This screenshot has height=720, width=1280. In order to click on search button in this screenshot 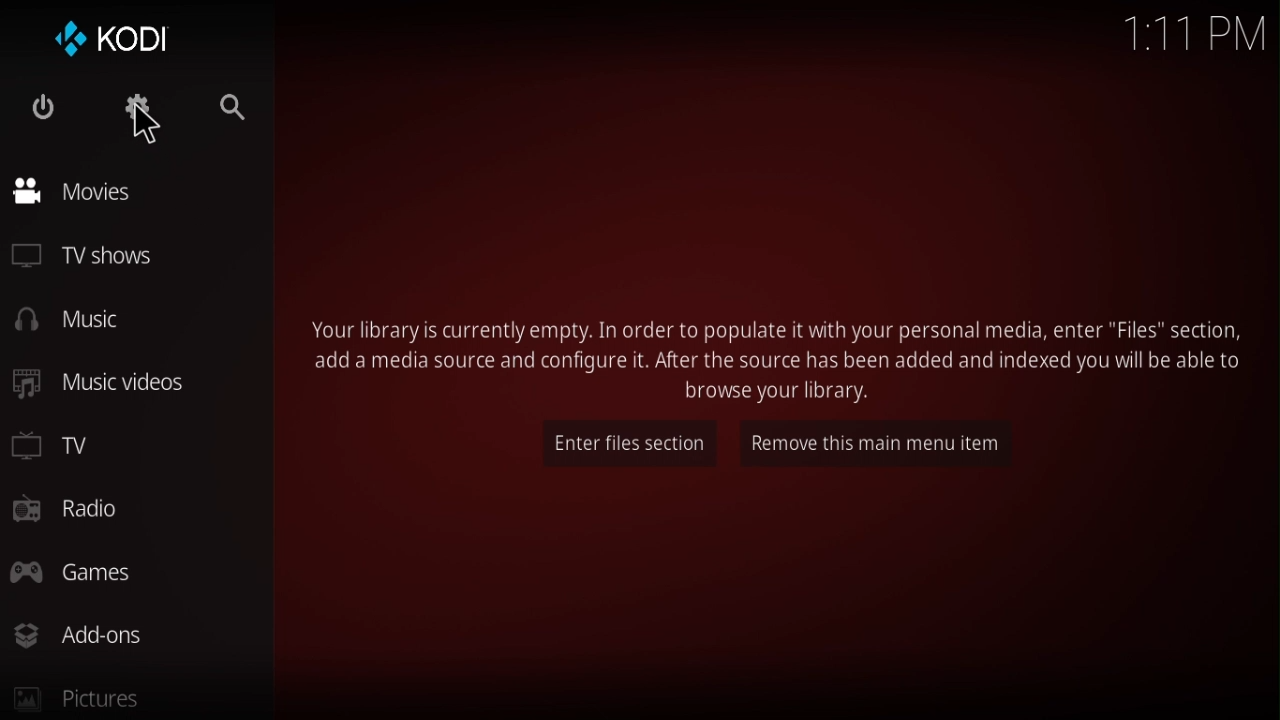, I will do `click(232, 111)`.